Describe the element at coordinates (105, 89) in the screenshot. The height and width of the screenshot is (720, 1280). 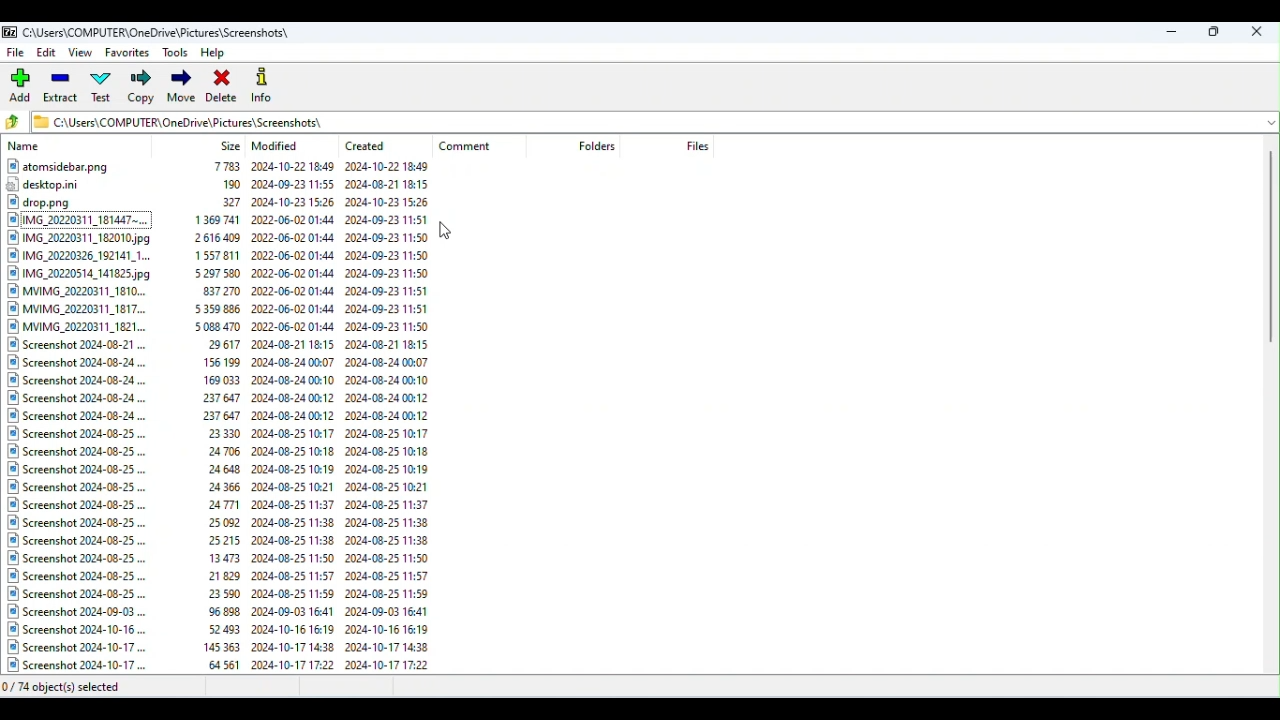
I see `Test` at that location.